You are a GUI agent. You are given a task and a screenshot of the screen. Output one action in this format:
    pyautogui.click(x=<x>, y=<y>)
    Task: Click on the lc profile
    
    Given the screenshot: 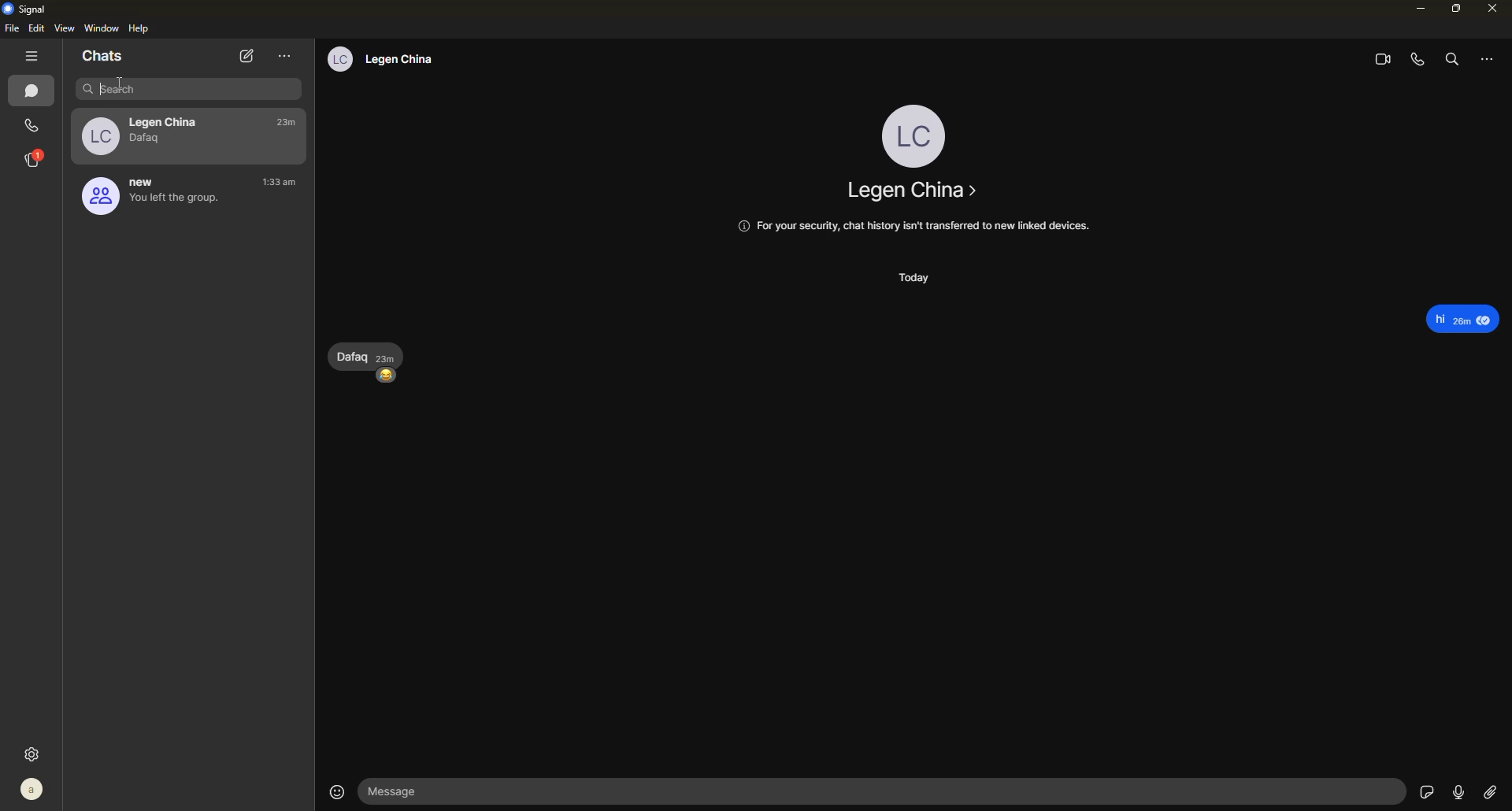 What is the action you would take?
    pyautogui.click(x=98, y=138)
    